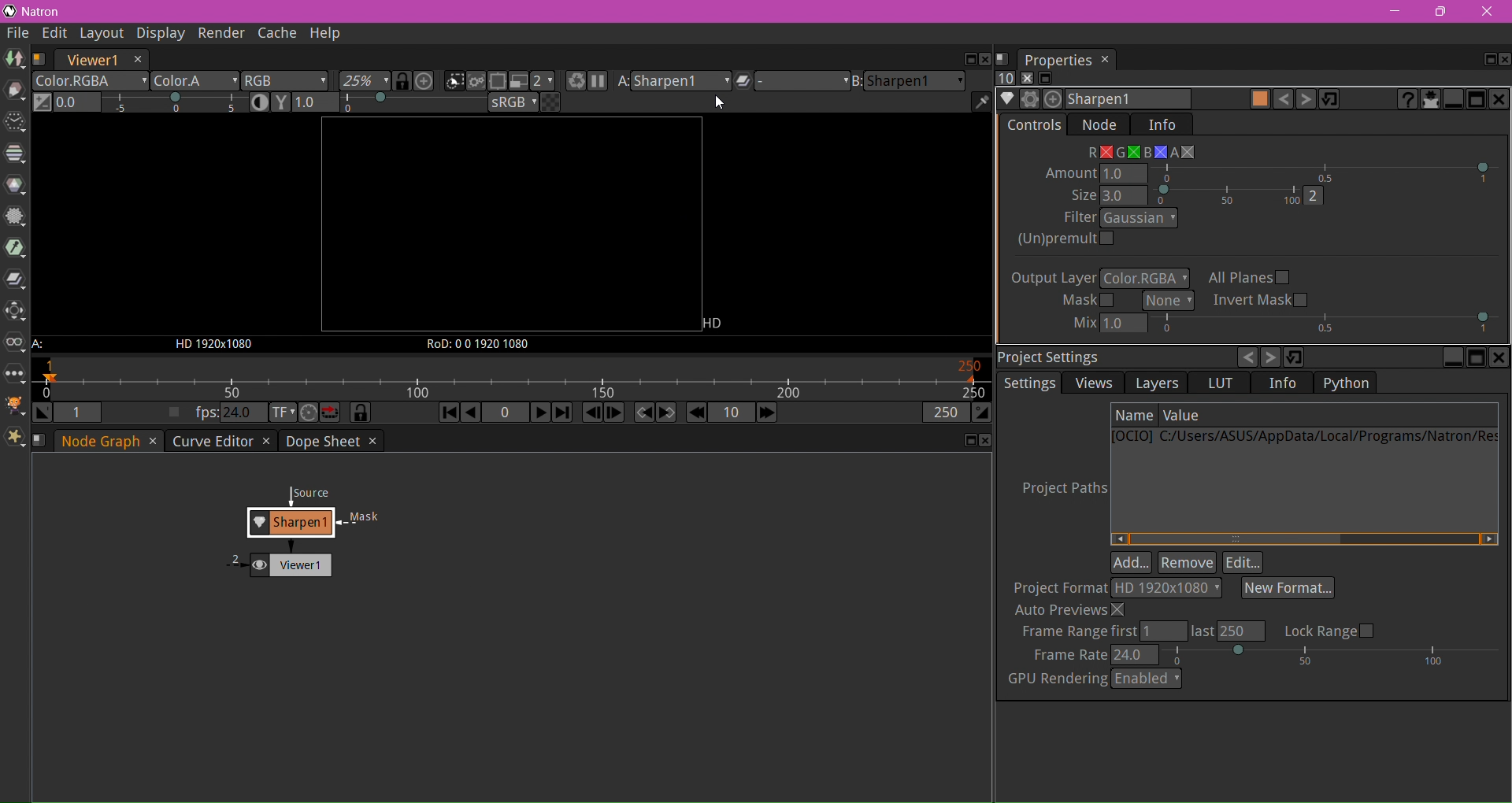  What do you see at coordinates (1184, 415) in the screenshot?
I see `Value` at bounding box center [1184, 415].